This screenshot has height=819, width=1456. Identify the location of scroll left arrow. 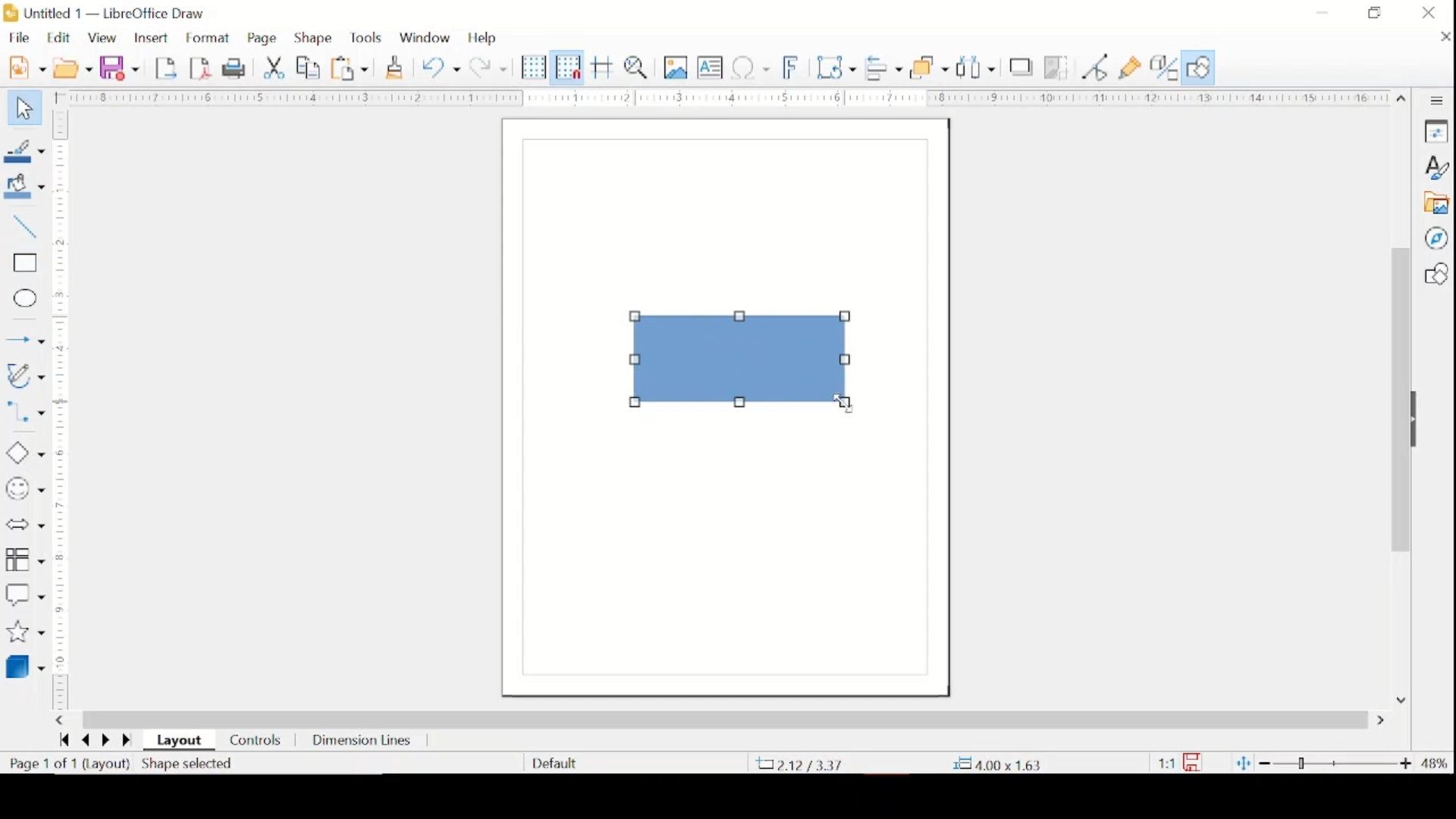
(59, 720).